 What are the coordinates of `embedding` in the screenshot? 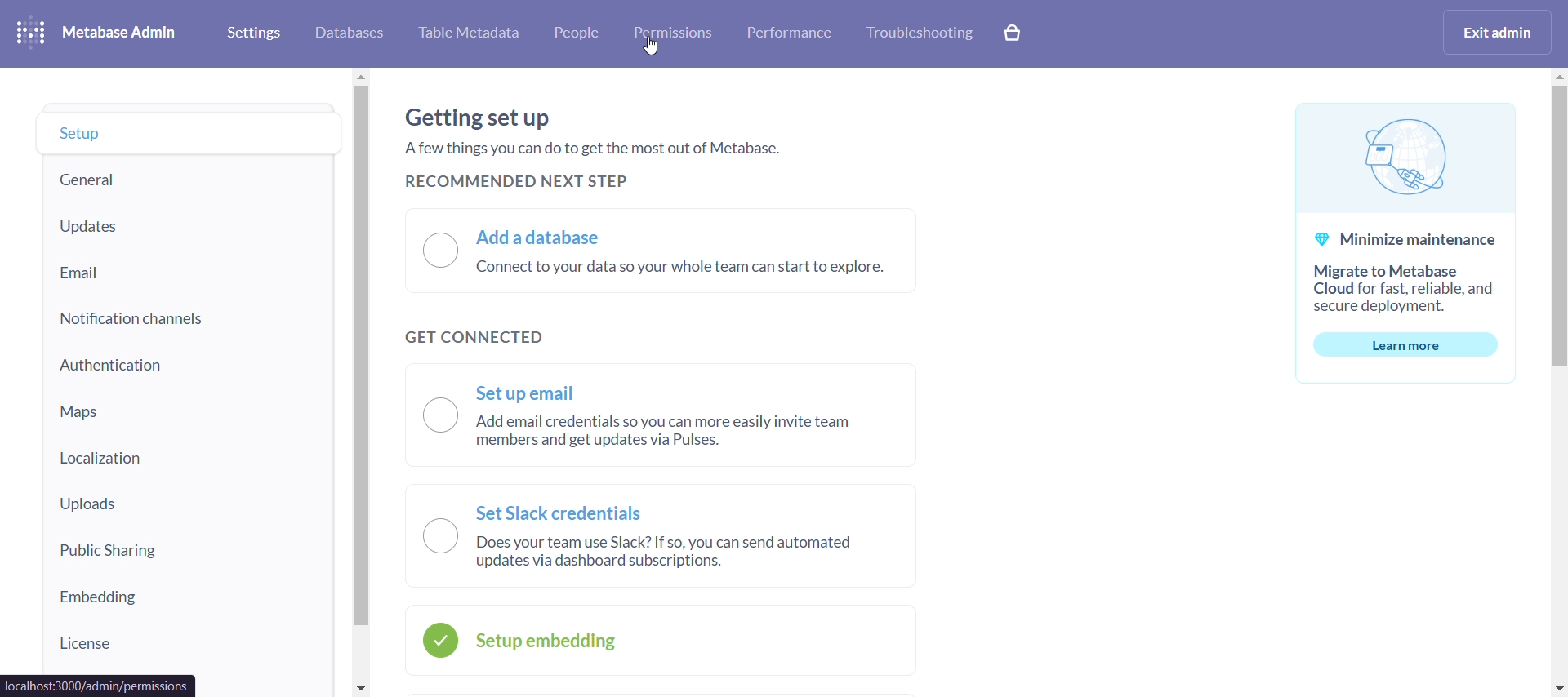 It's located at (185, 606).